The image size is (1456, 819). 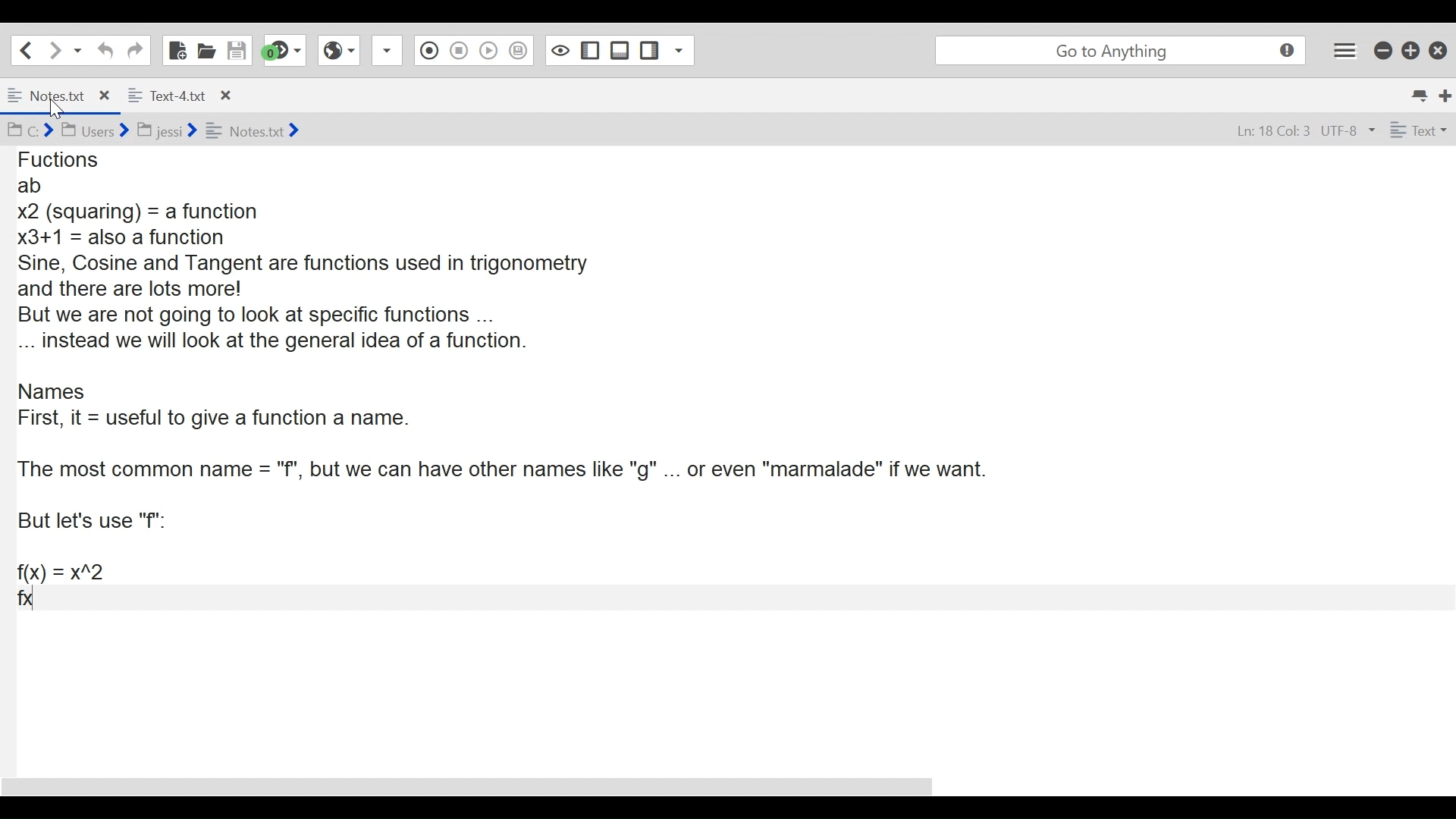 I want to click on share current file, so click(x=390, y=52).